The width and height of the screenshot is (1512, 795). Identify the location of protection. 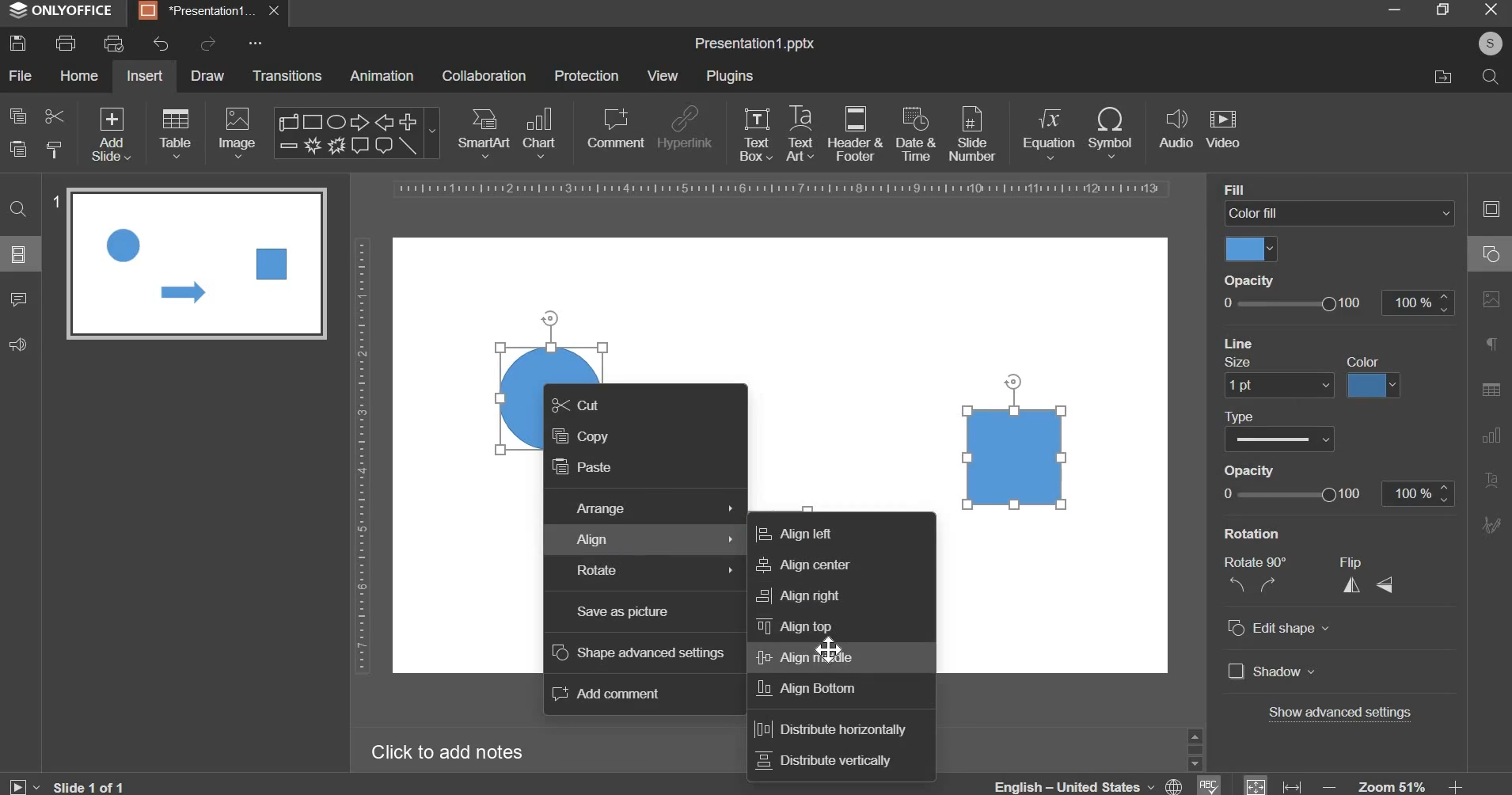
(587, 75).